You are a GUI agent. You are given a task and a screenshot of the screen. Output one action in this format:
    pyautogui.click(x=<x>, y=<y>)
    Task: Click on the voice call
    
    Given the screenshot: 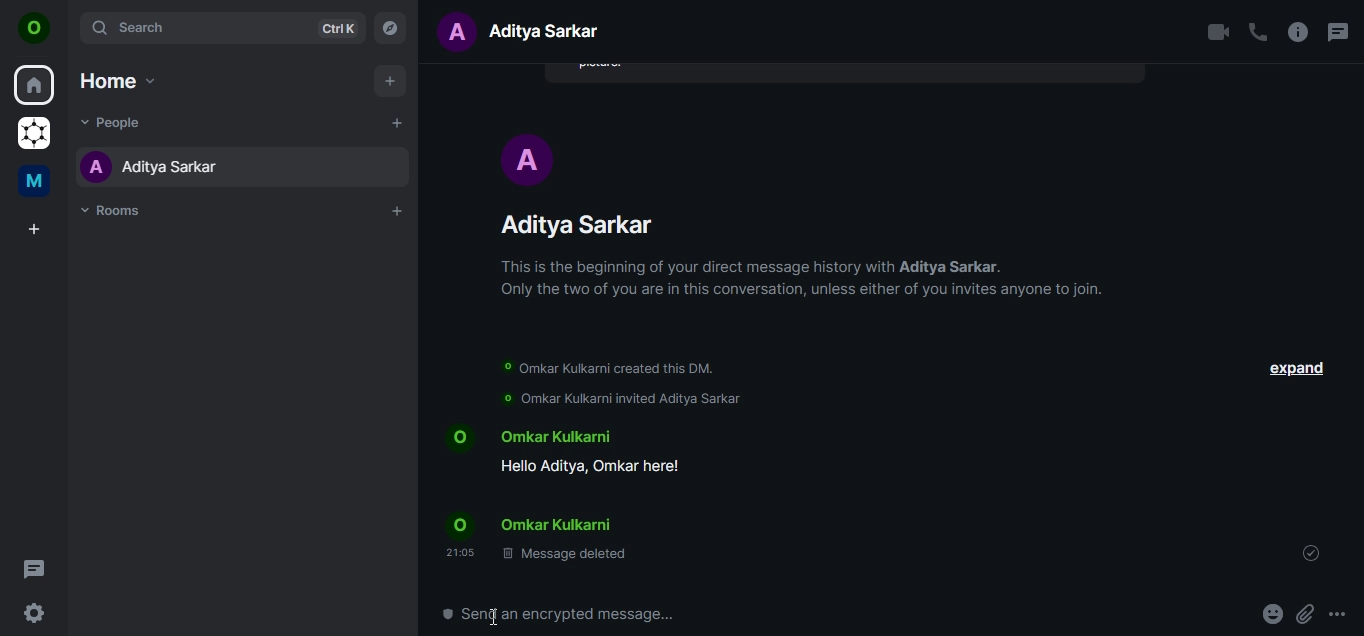 What is the action you would take?
    pyautogui.click(x=1257, y=31)
    